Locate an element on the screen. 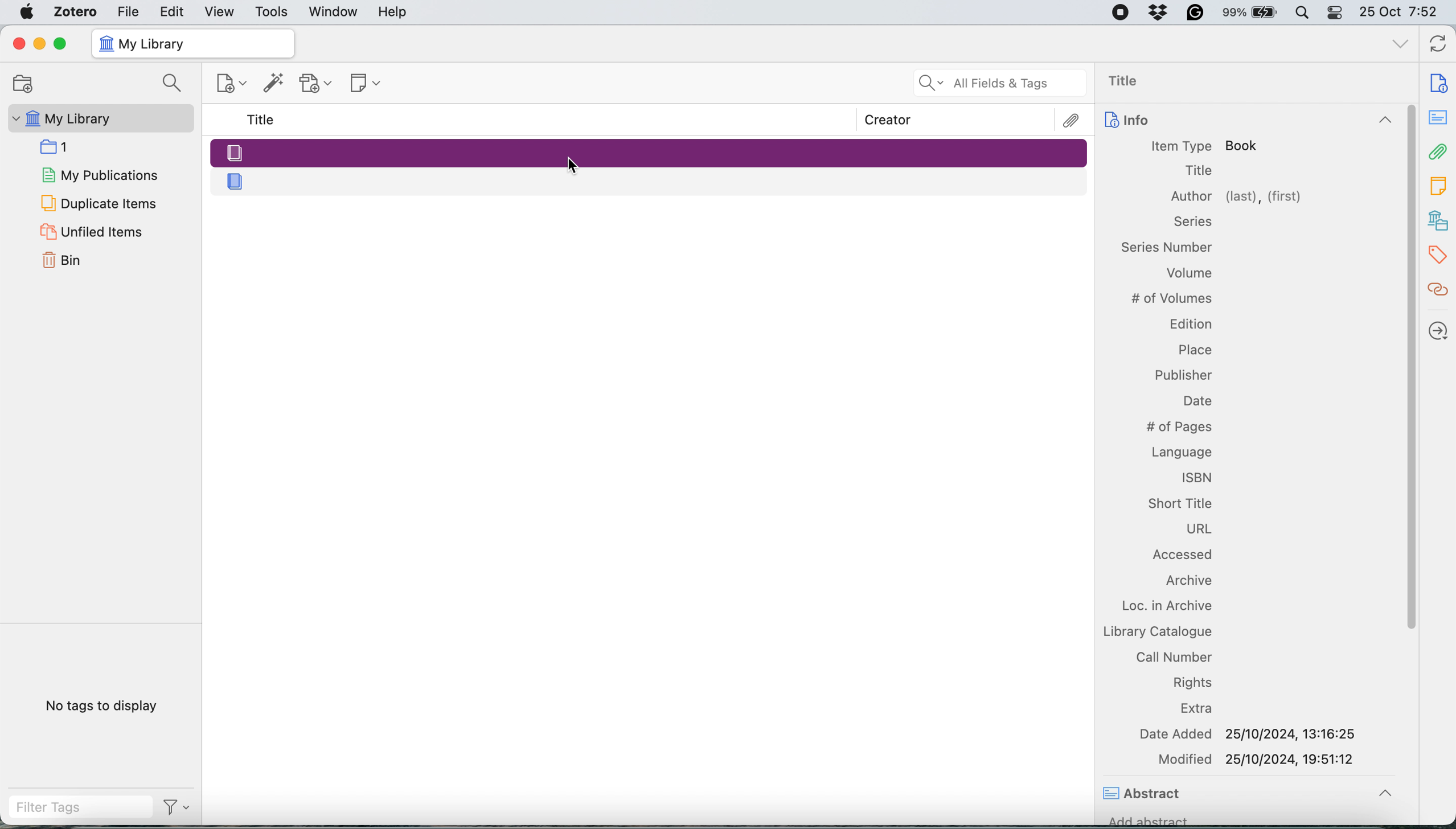  Cursor Position is located at coordinates (572, 165).